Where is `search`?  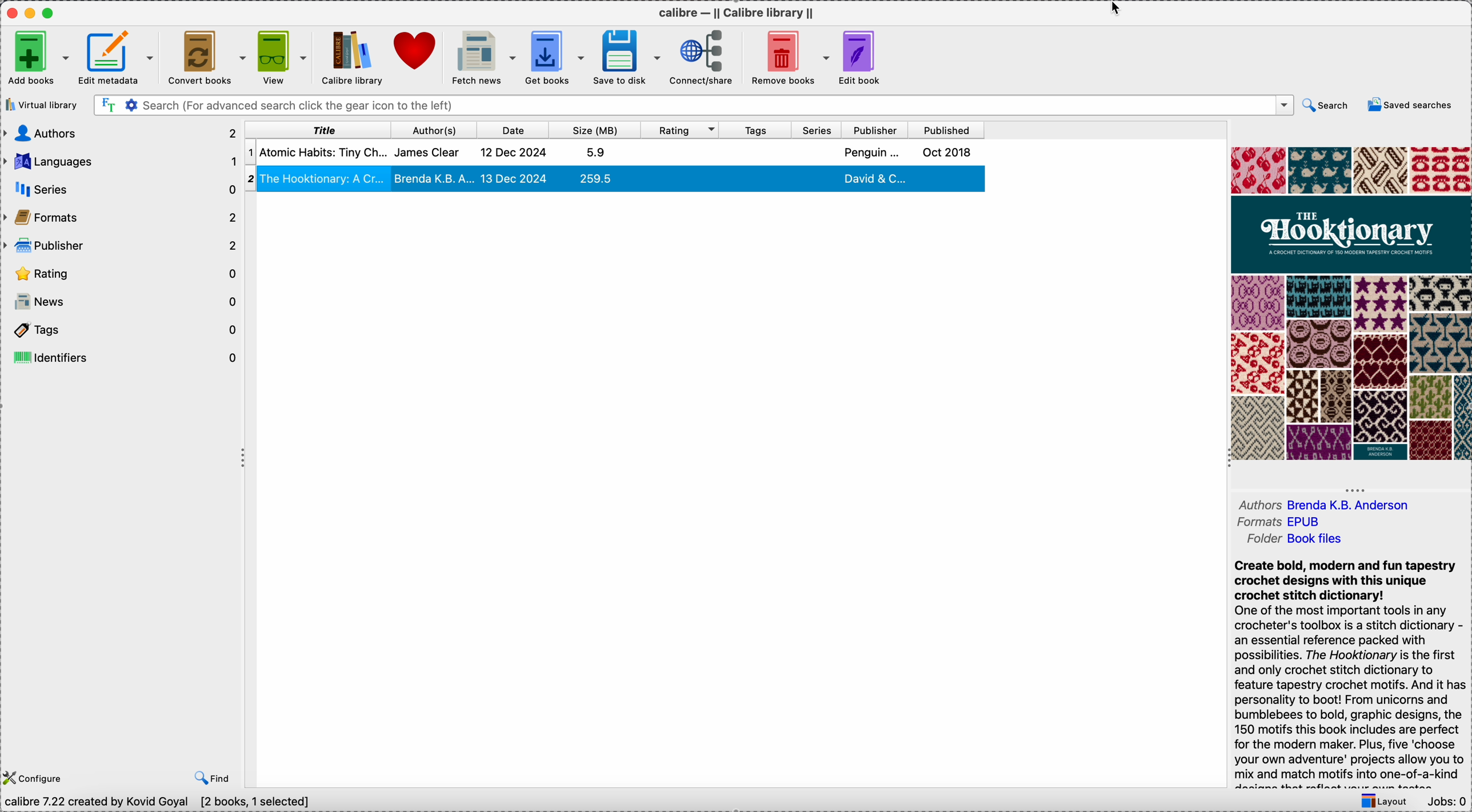
search is located at coordinates (1326, 106).